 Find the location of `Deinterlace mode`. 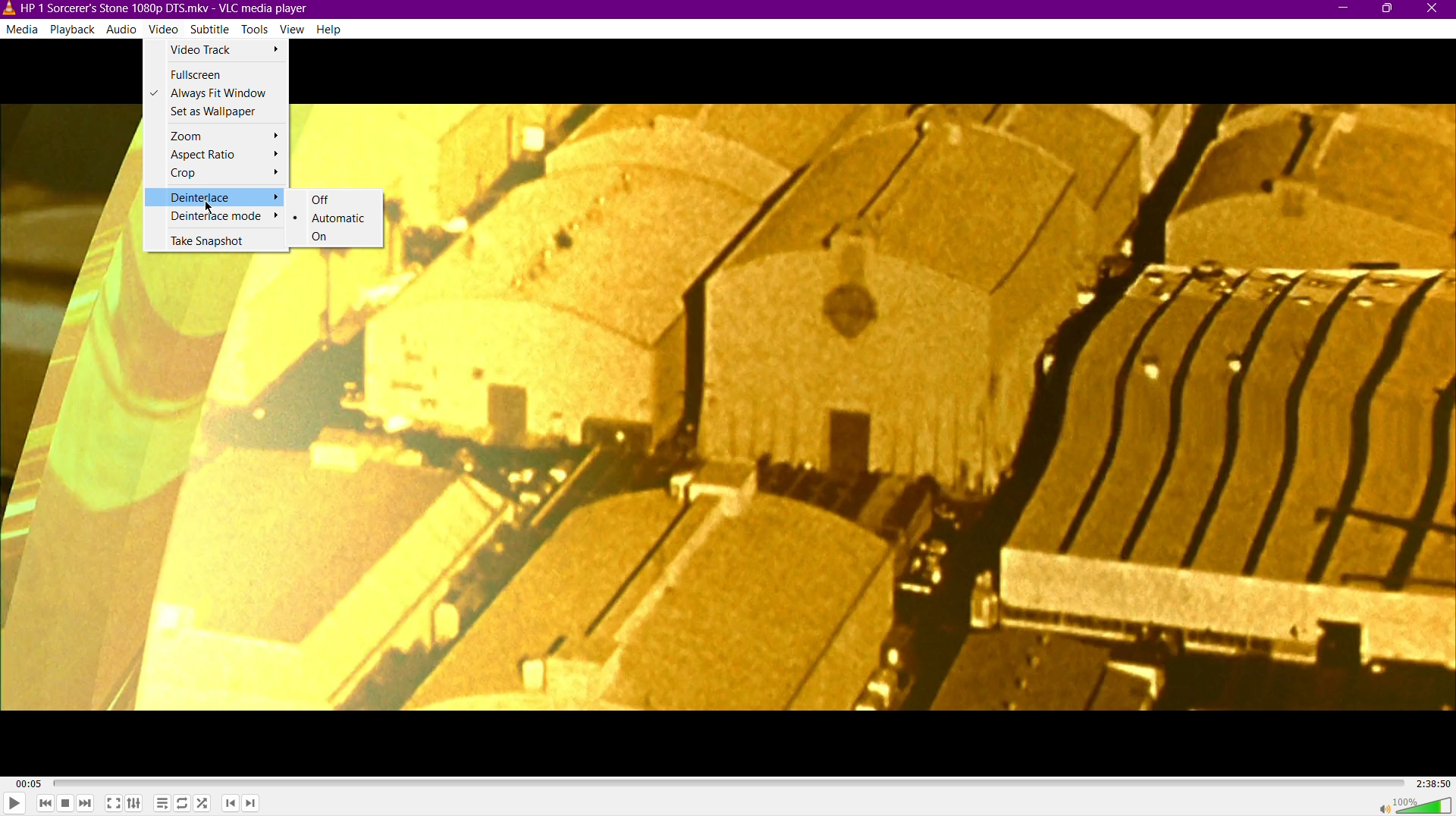

Deinterlace mode is located at coordinates (215, 219).